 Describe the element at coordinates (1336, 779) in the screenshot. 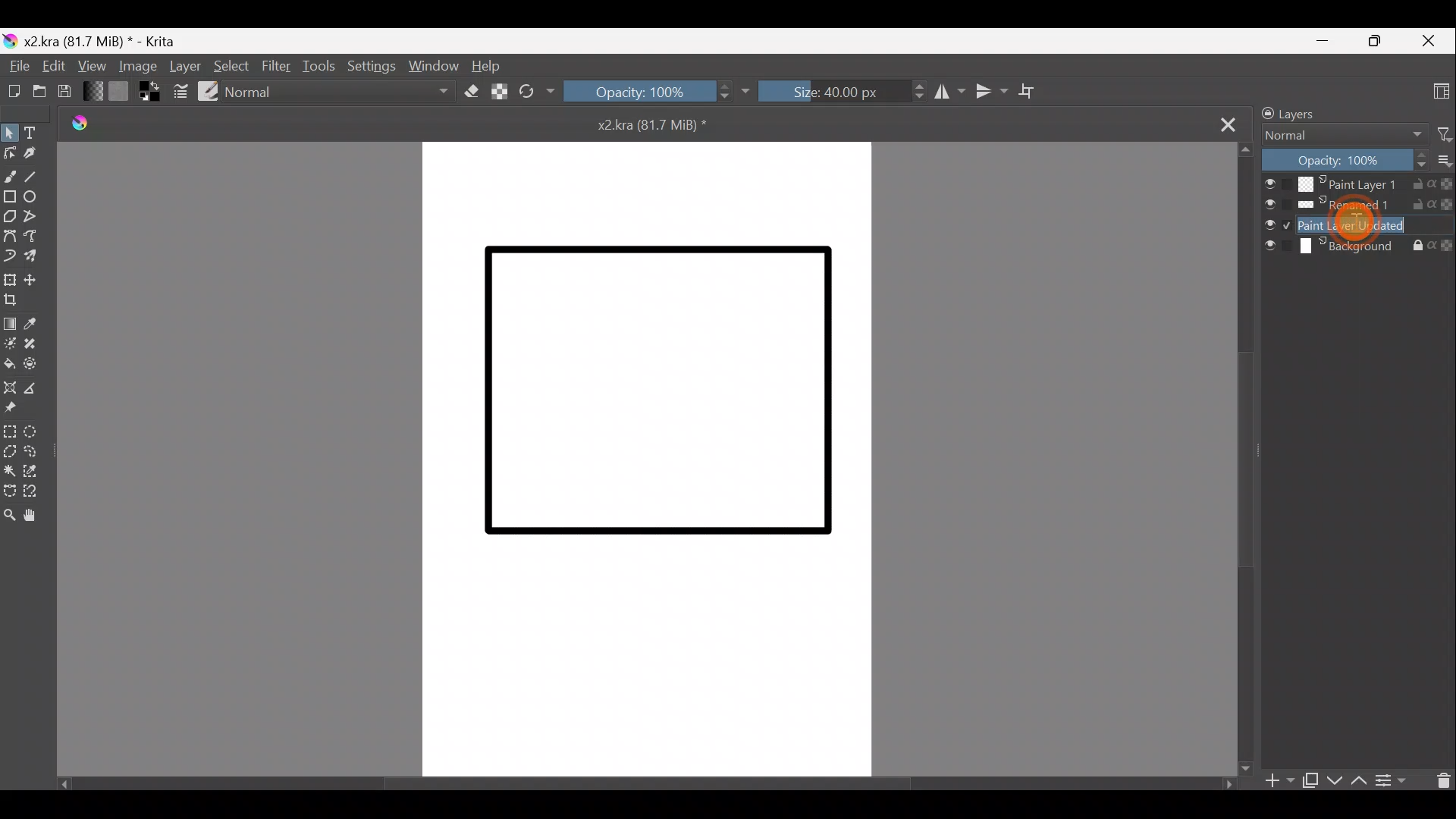

I see `Move layer/mask down` at that location.